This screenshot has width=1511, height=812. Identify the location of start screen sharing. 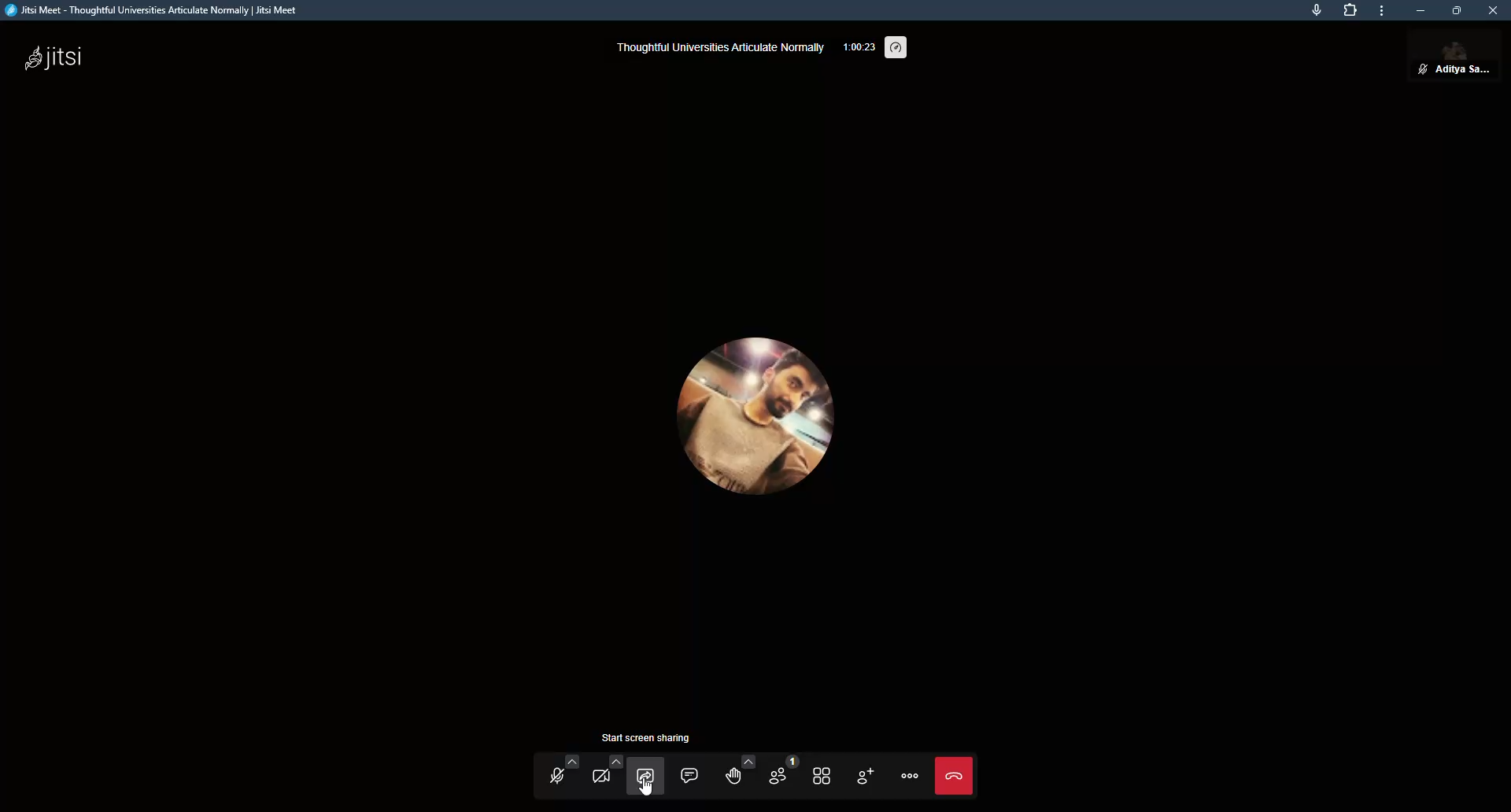
(652, 768).